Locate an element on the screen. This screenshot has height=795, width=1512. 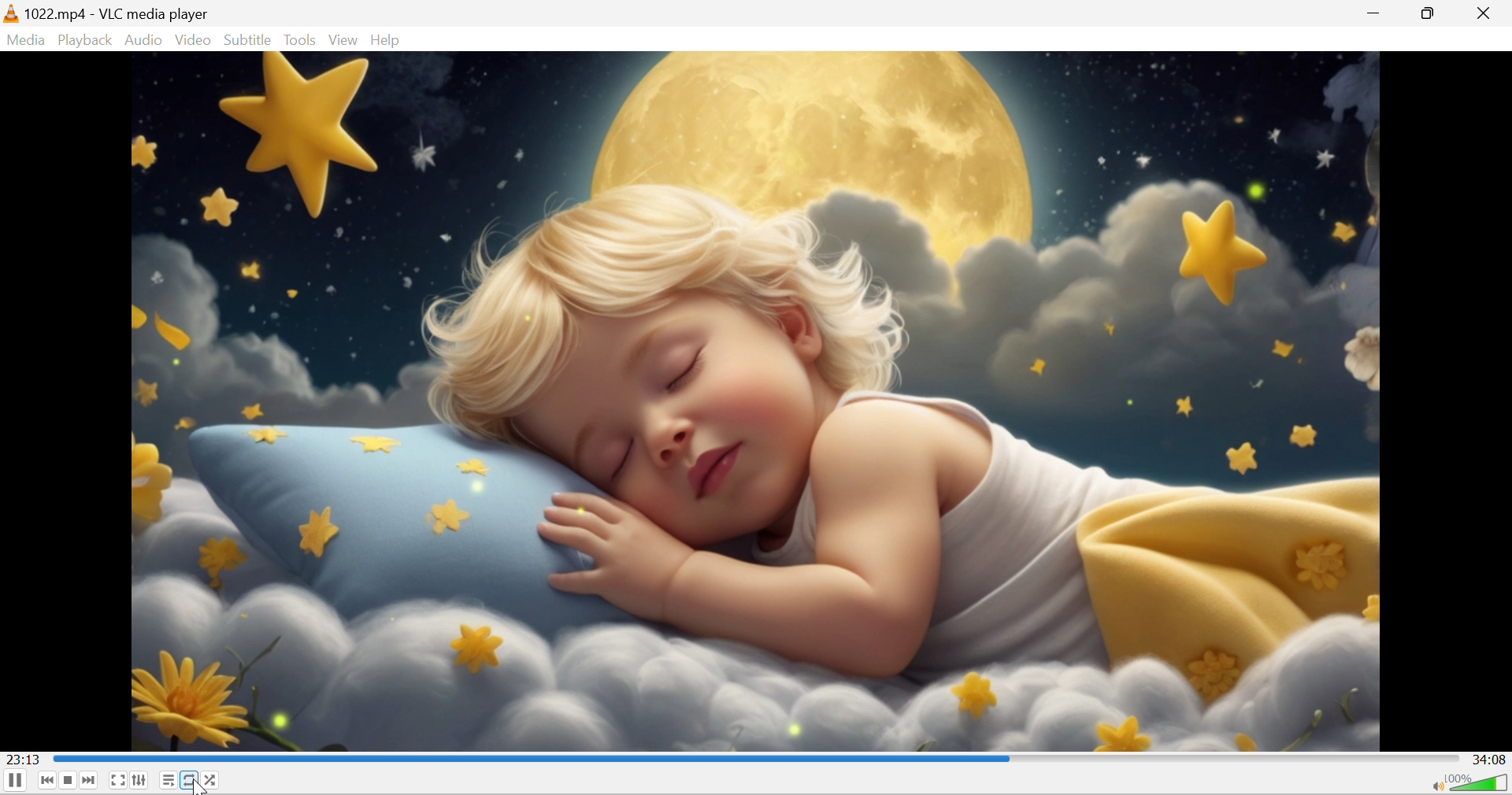
Playback is located at coordinates (85, 39).